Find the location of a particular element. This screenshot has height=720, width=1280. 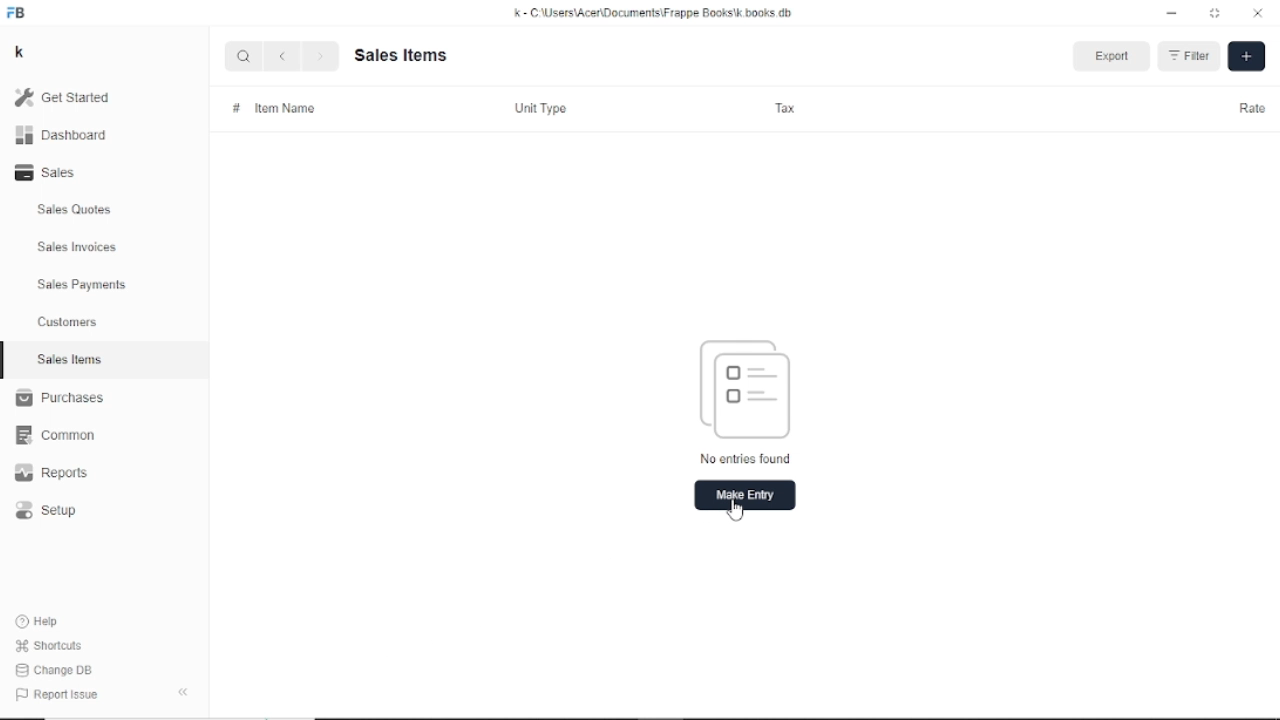

Report issue is located at coordinates (54, 693).